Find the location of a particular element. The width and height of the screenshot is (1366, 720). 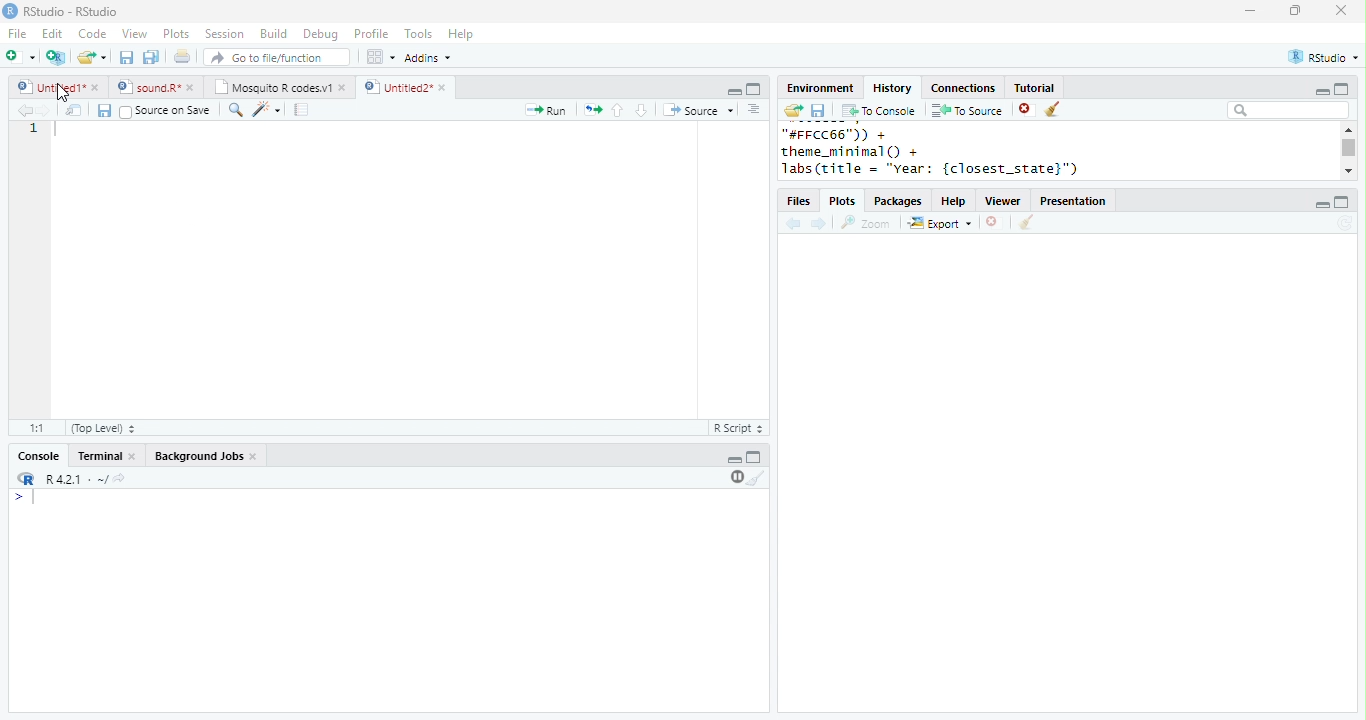

Viewer is located at coordinates (1003, 201).